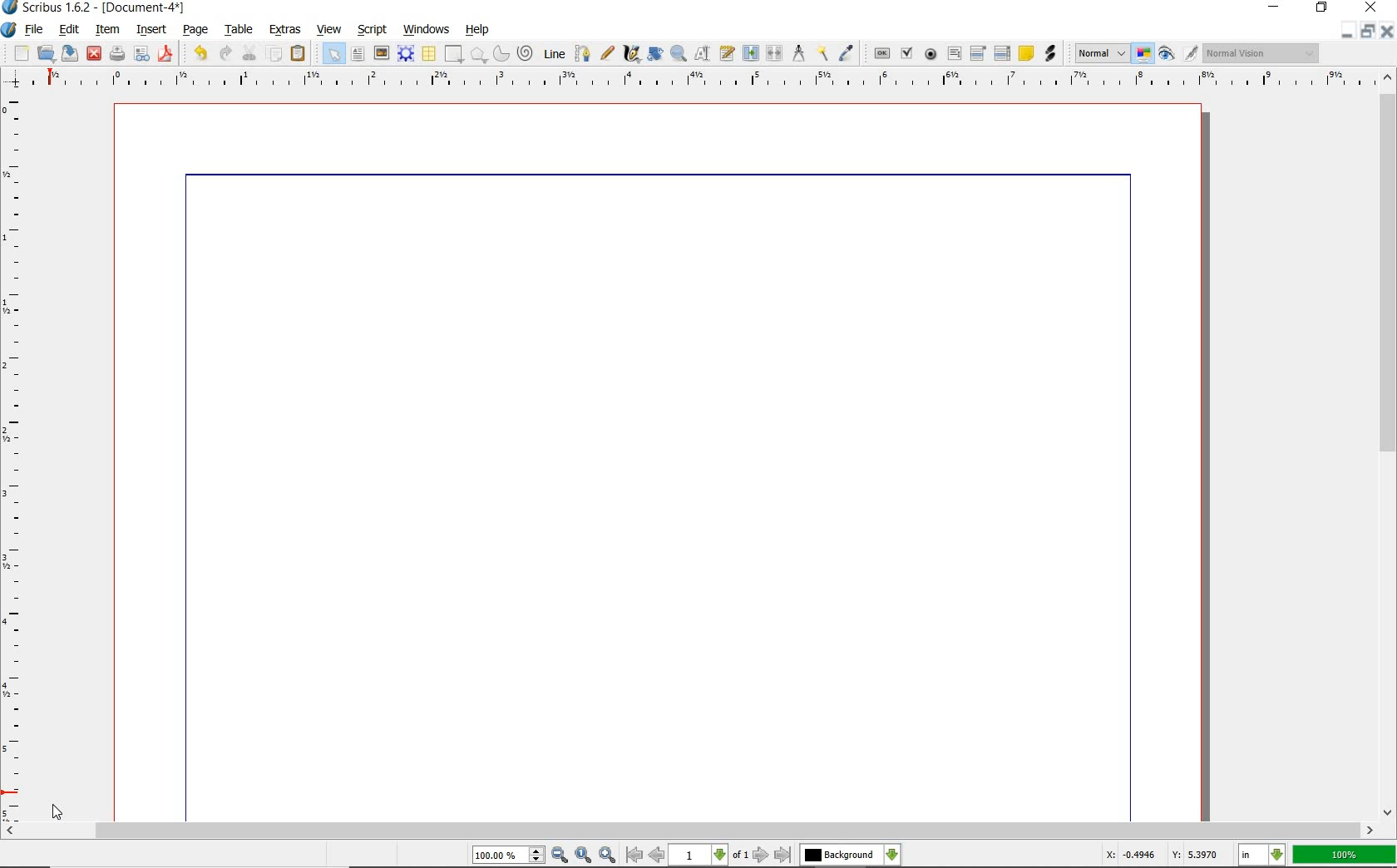 This screenshot has height=868, width=1397. What do you see at coordinates (286, 30) in the screenshot?
I see `extras` at bounding box center [286, 30].